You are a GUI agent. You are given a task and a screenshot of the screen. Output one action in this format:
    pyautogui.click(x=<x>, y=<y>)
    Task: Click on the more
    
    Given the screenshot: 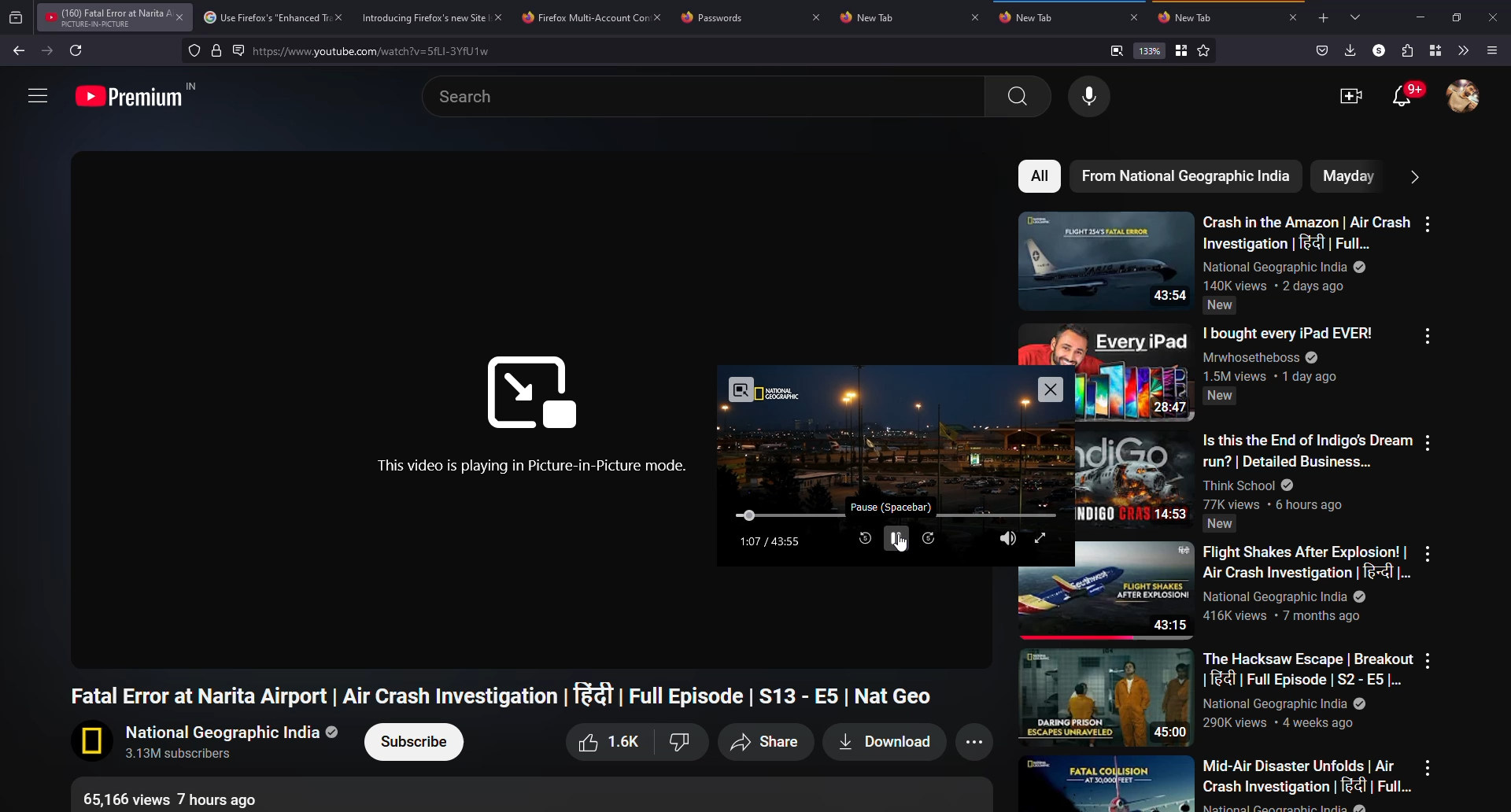 What is the action you would take?
    pyautogui.click(x=1427, y=553)
    